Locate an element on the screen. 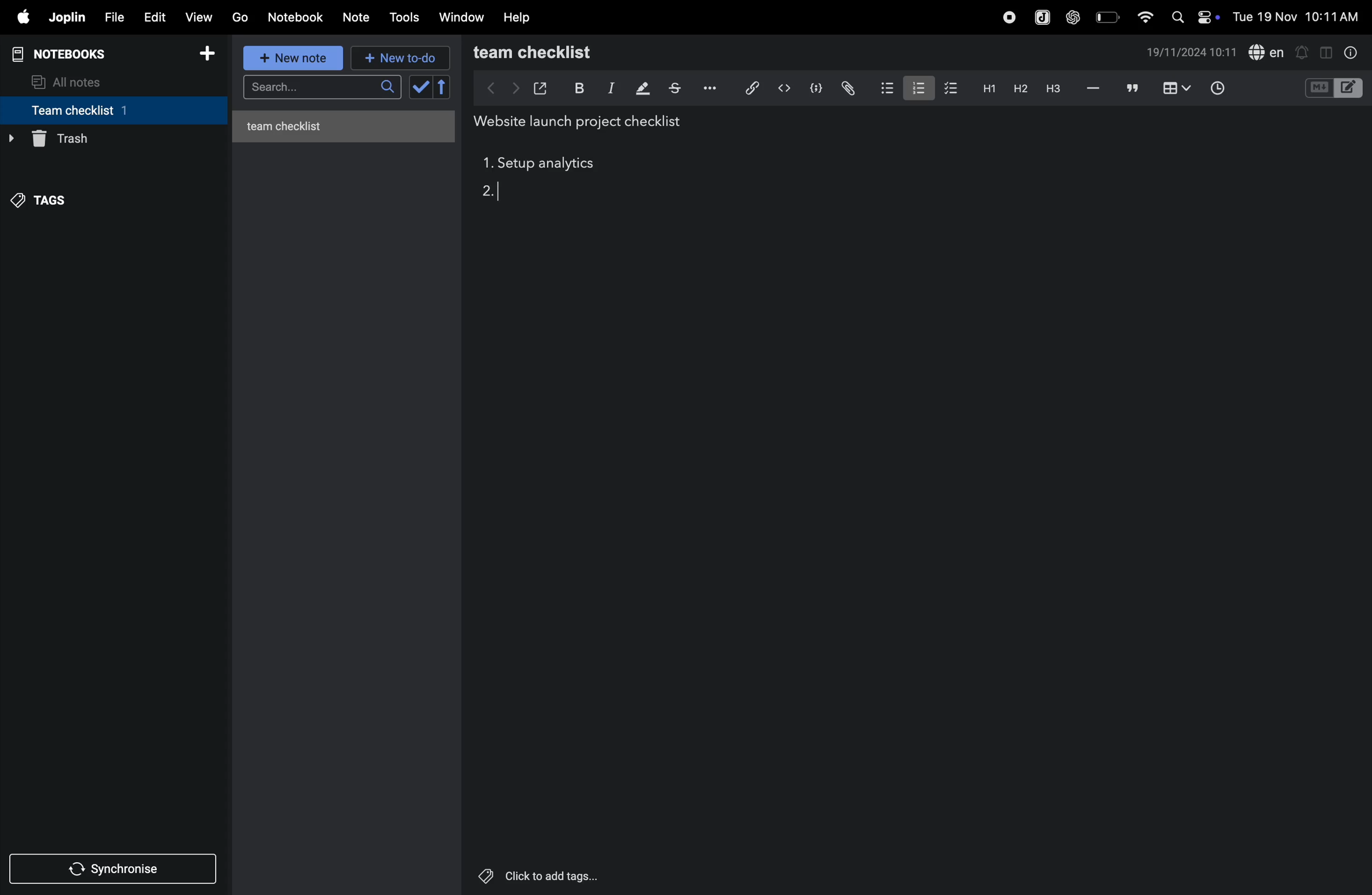  check is located at coordinates (431, 88).